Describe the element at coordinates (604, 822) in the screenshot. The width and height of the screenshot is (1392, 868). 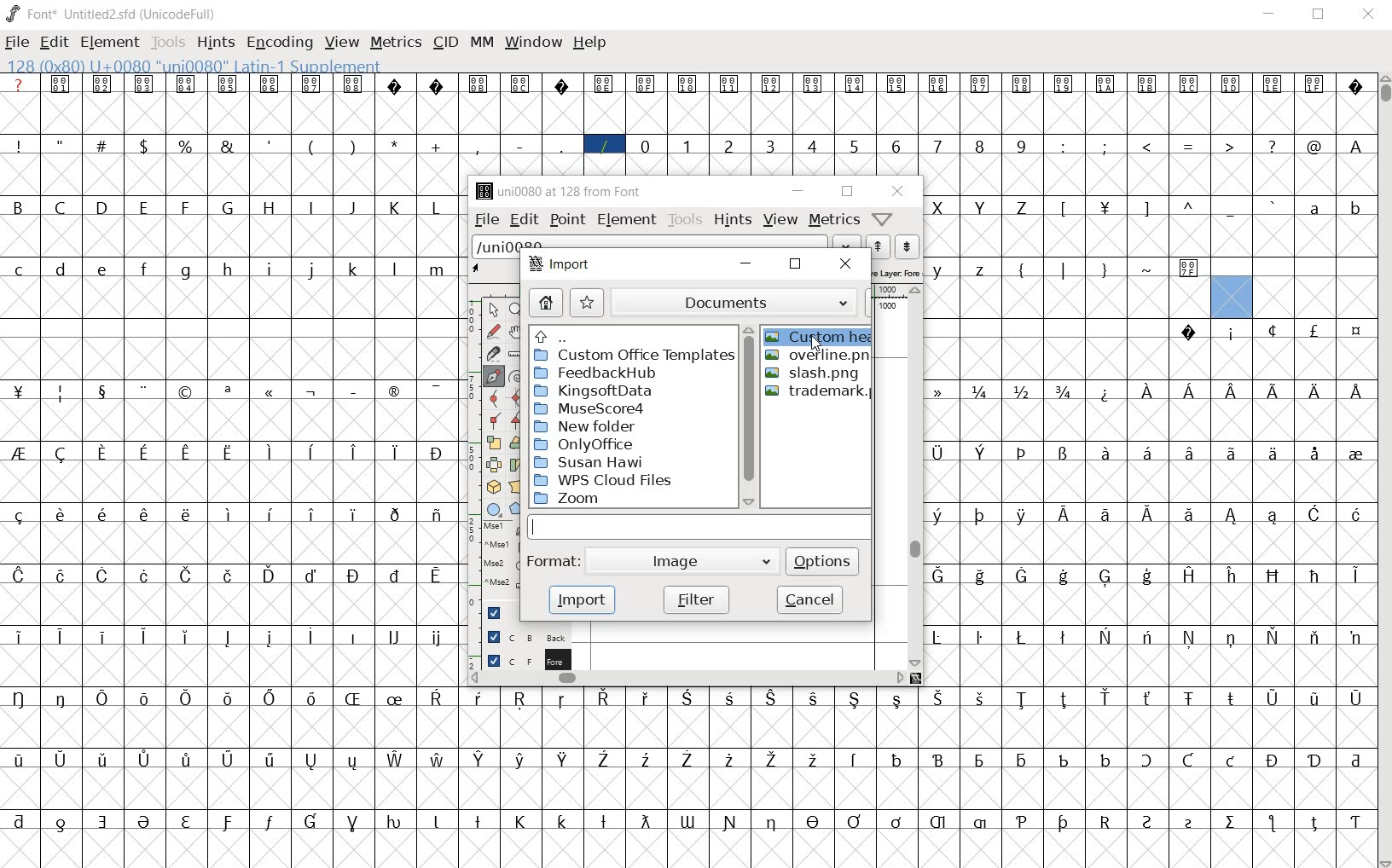
I see `glyph` at that location.